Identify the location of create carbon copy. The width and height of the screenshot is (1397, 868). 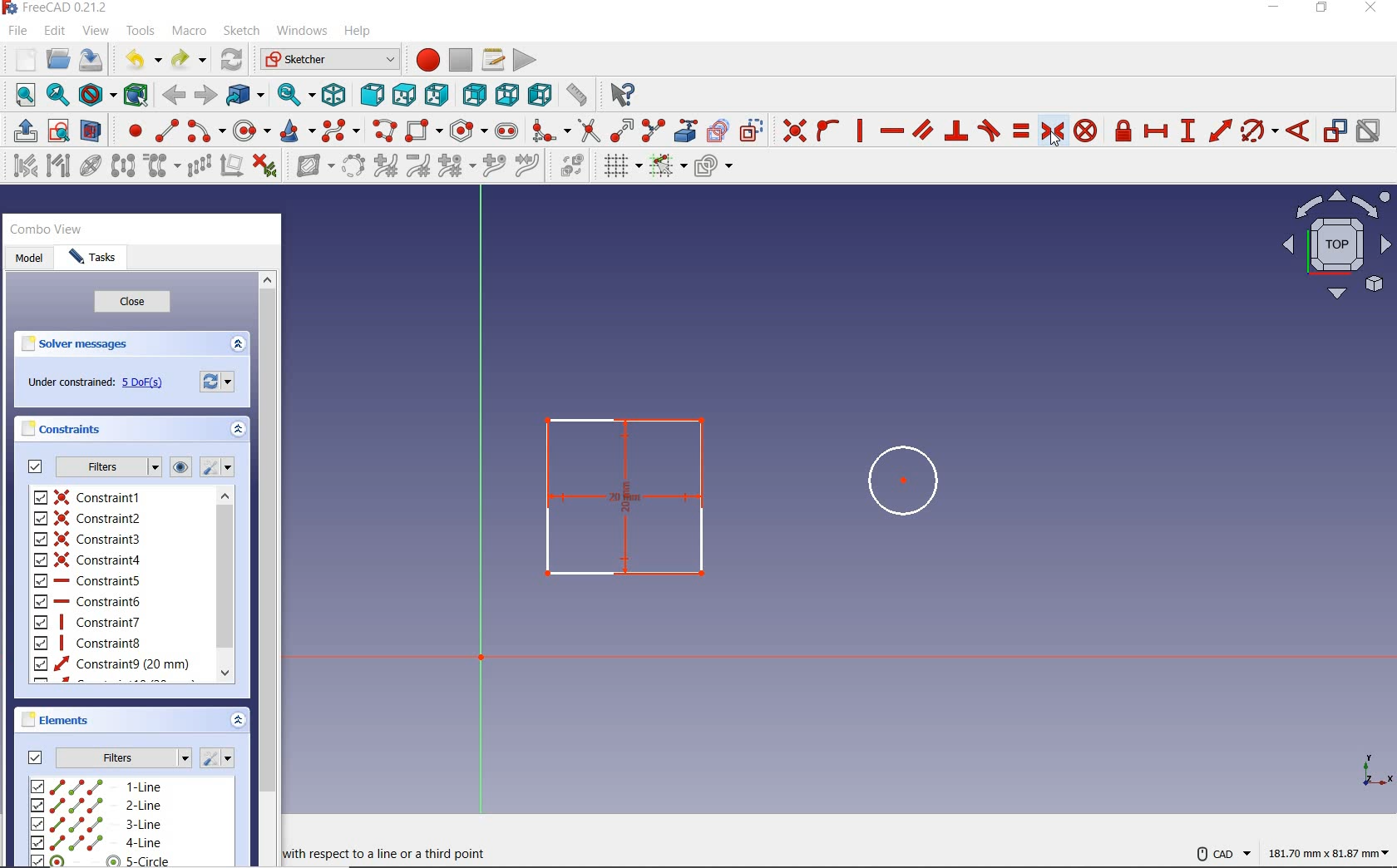
(718, 131).